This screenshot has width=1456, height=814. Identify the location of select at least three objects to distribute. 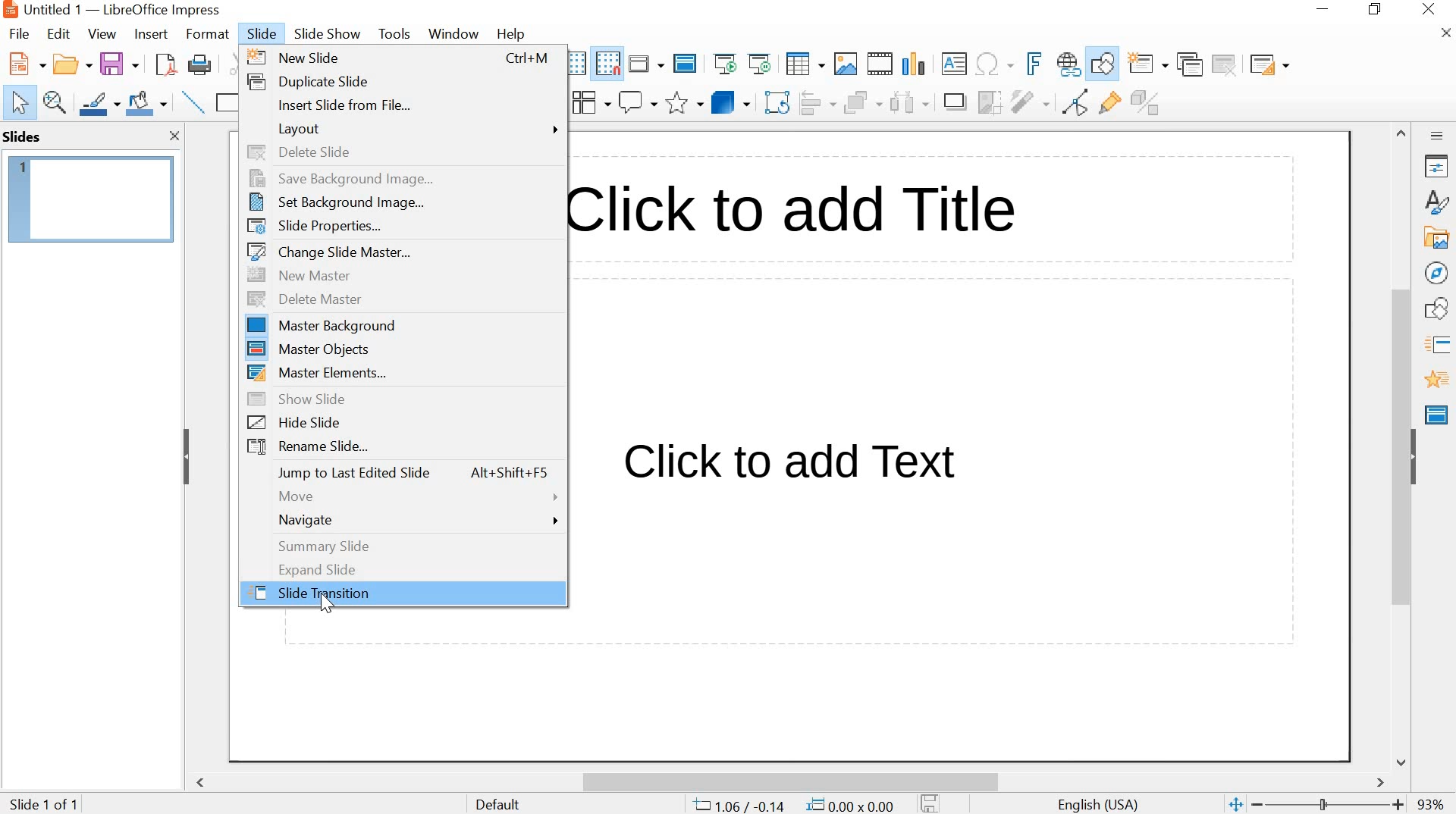
(908, 102).